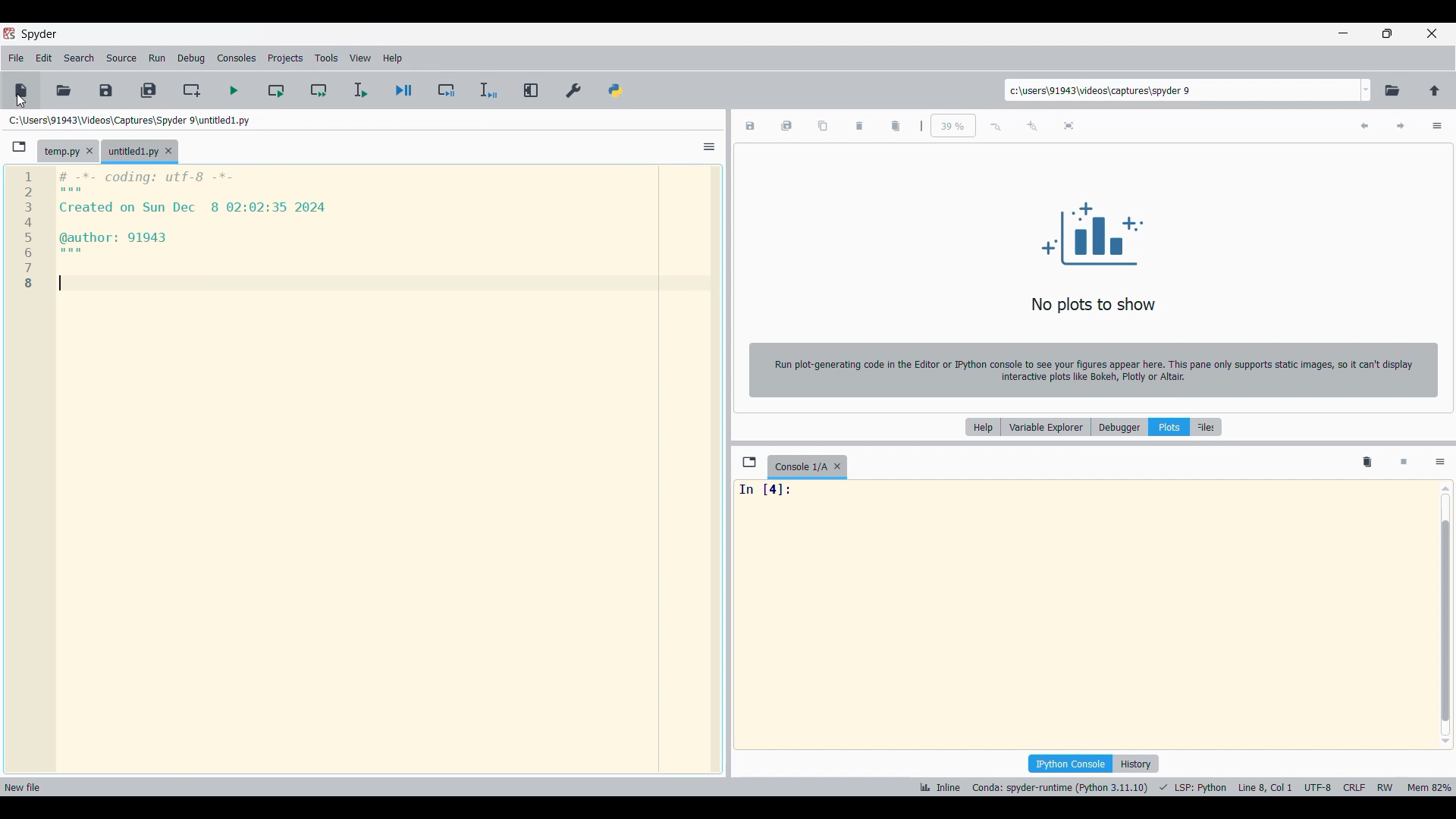 This screenshot has width=1456, height=819. I want to click on inline, so click(932, 788).